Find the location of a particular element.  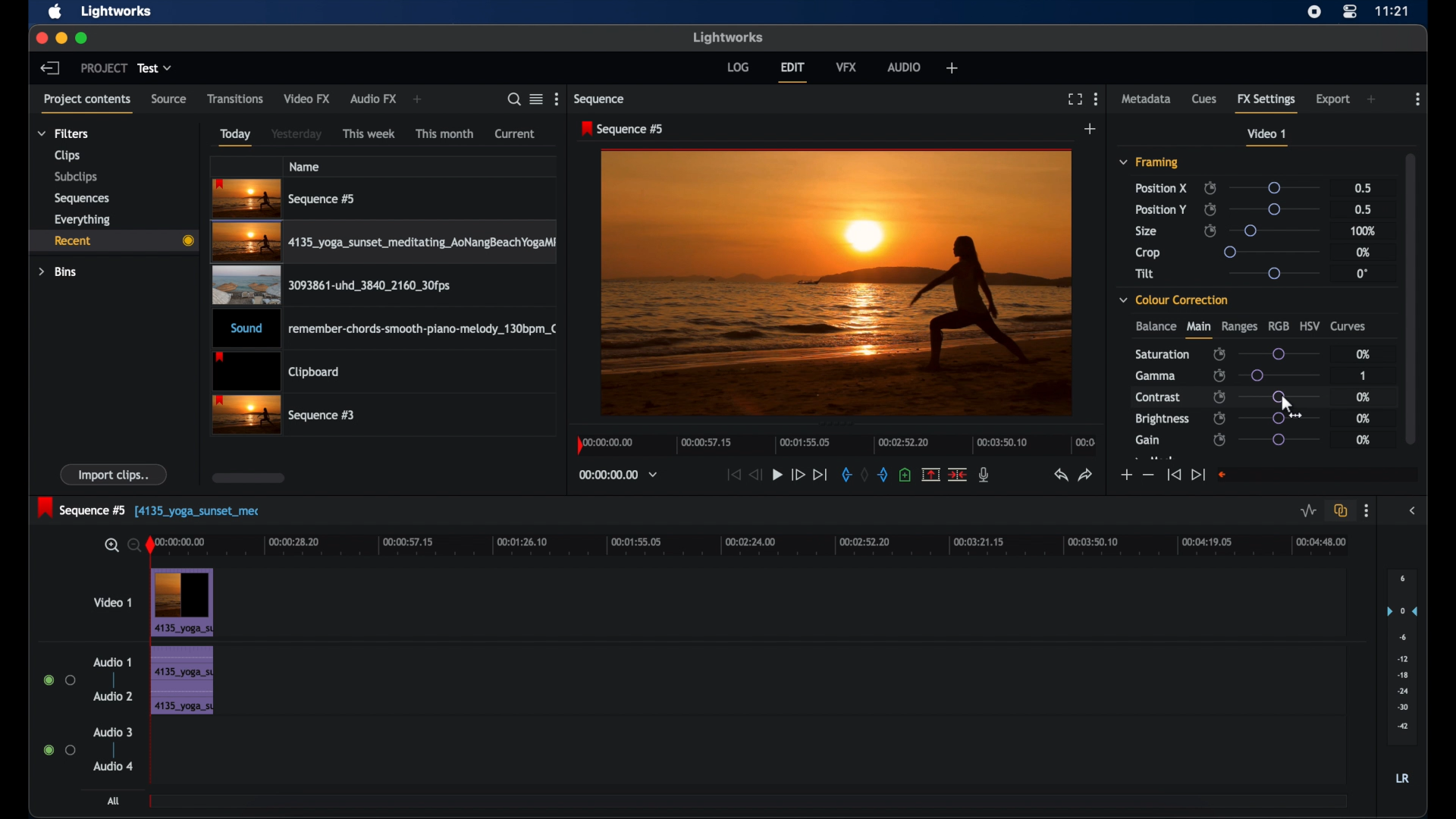

edit is located at coordinates (792, 72).